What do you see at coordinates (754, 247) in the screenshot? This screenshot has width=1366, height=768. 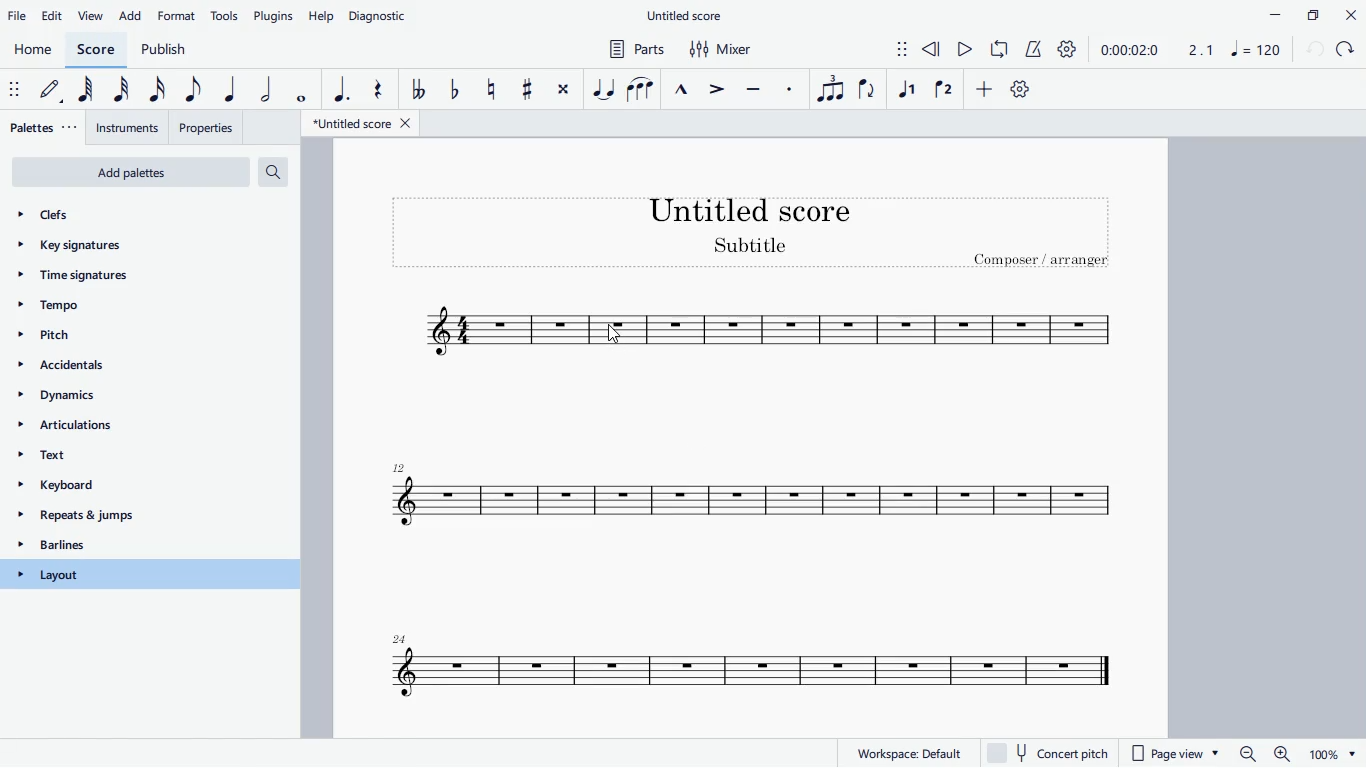 I see `score subtitle` at bounding box center [754, 247].